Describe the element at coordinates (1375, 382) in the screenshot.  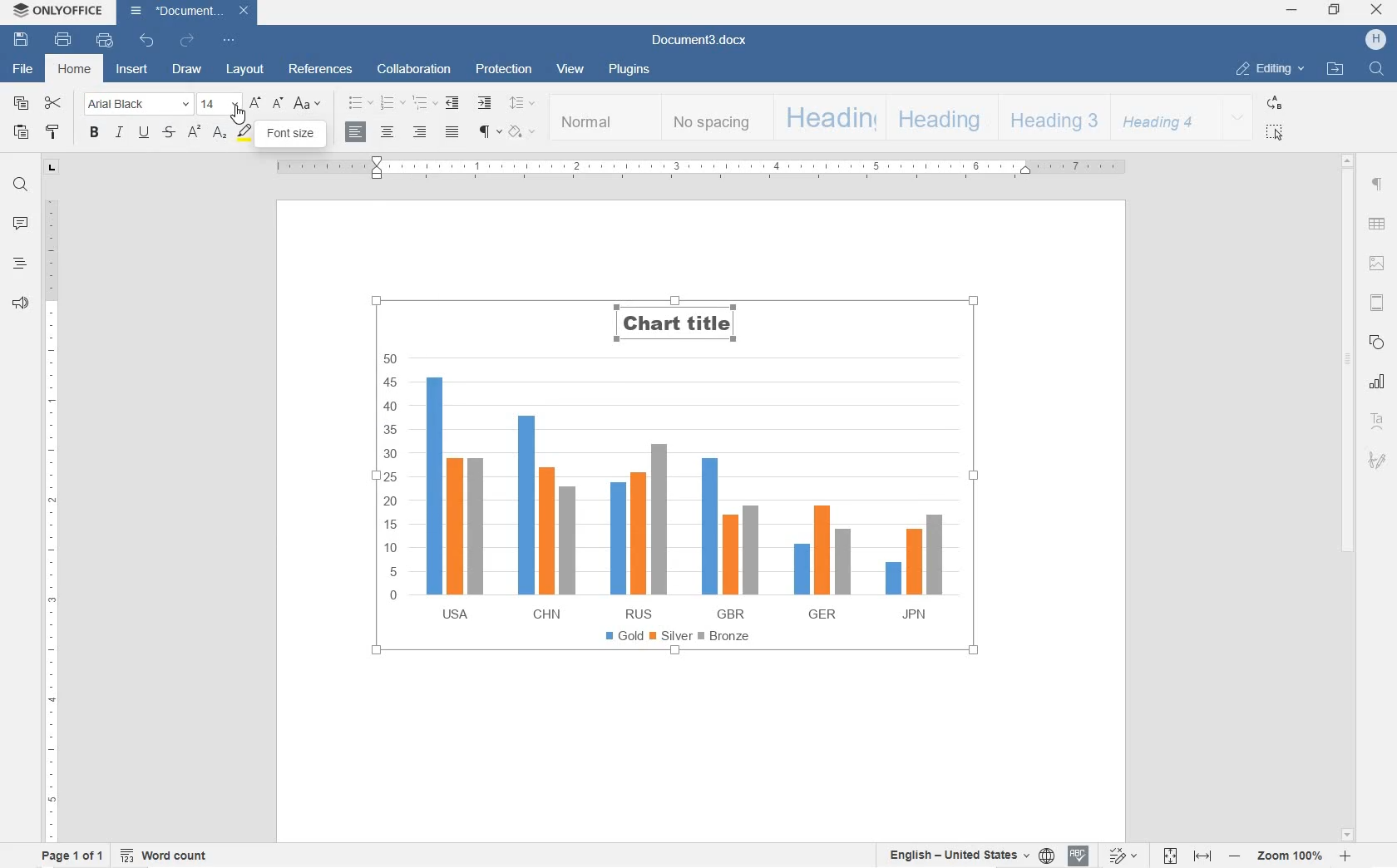
I see `CHART` at that location.